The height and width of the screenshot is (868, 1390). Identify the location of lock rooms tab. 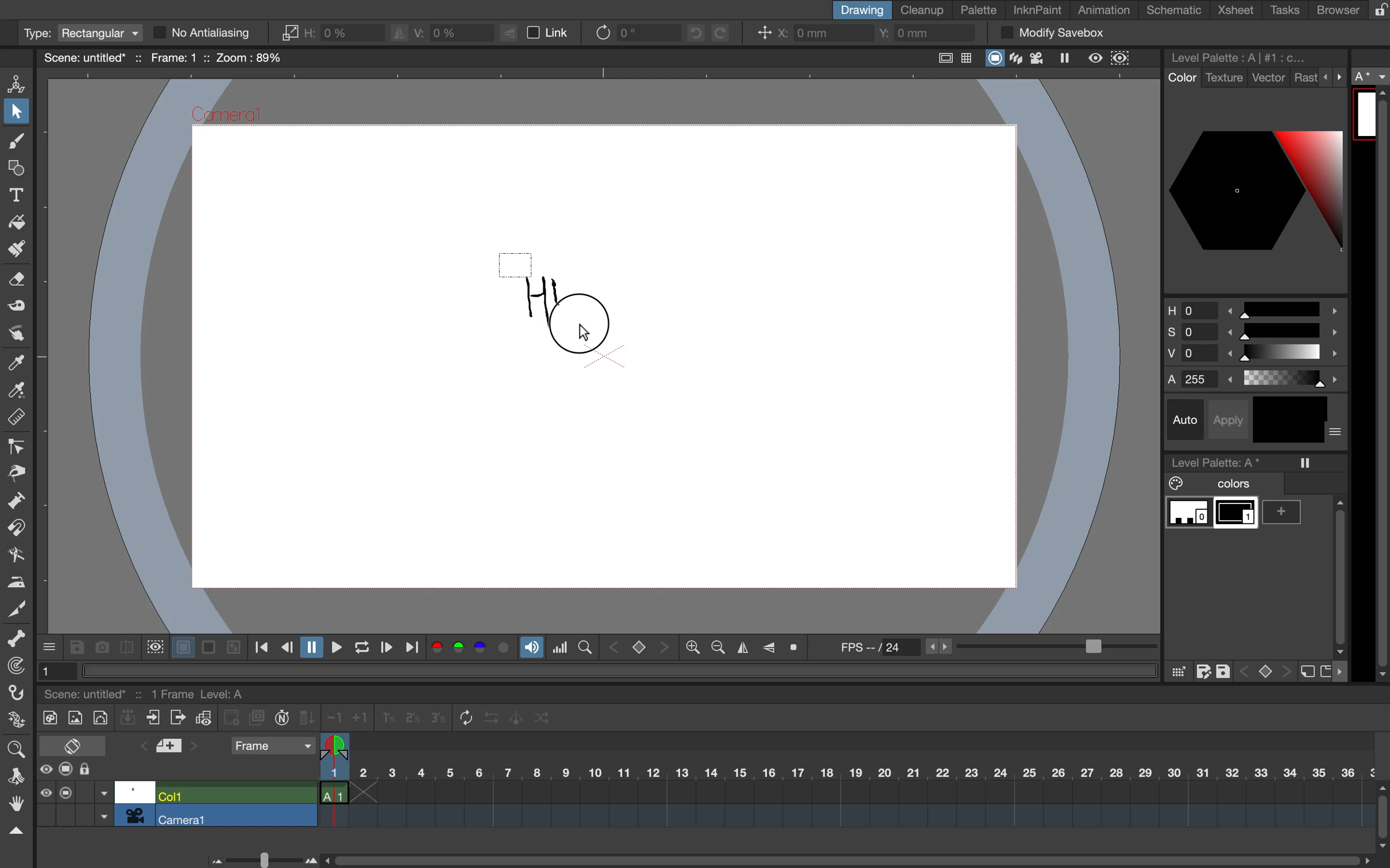
(1375, 11).